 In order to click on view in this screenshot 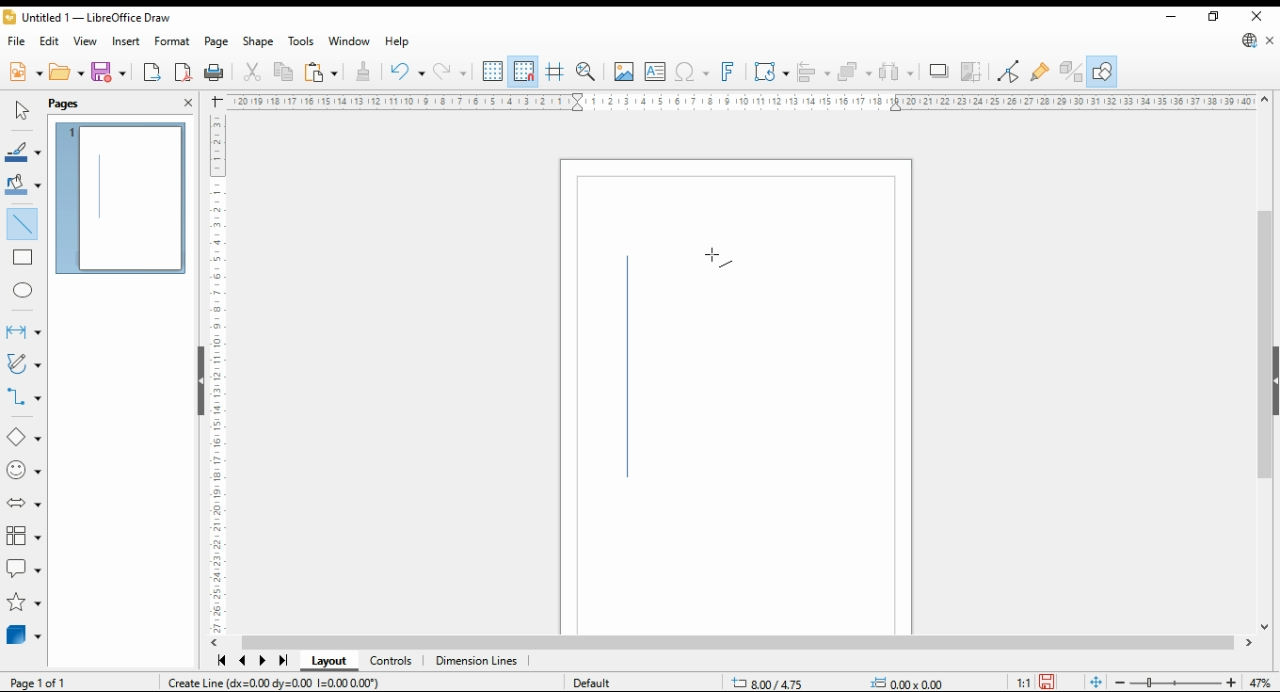, I will do `click(86, 41)`.